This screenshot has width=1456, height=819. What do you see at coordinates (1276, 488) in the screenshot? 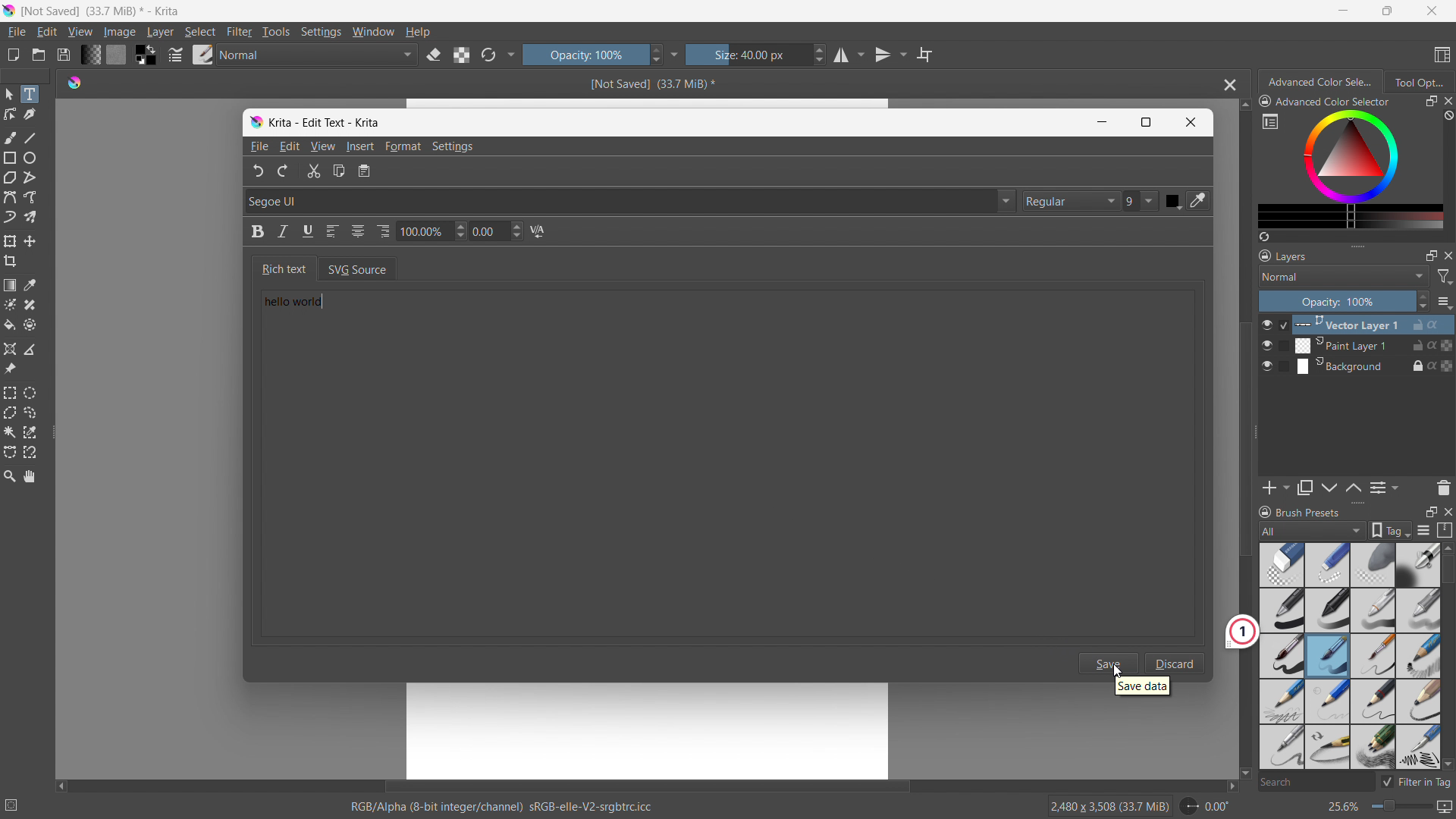
I see `add layer` at bounding box center [1276, 488].